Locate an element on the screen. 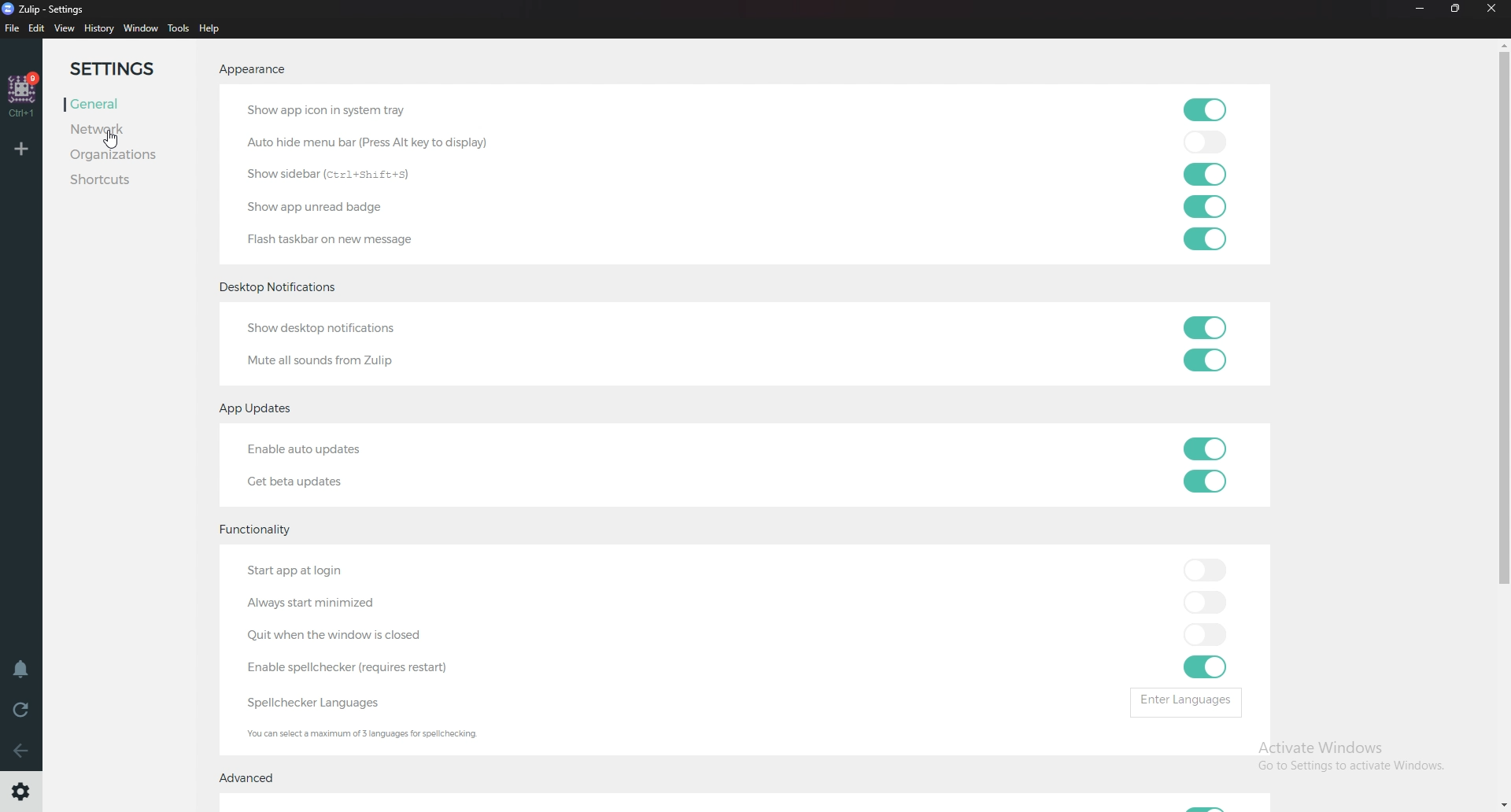  tools is located at coordinates (179, 28).